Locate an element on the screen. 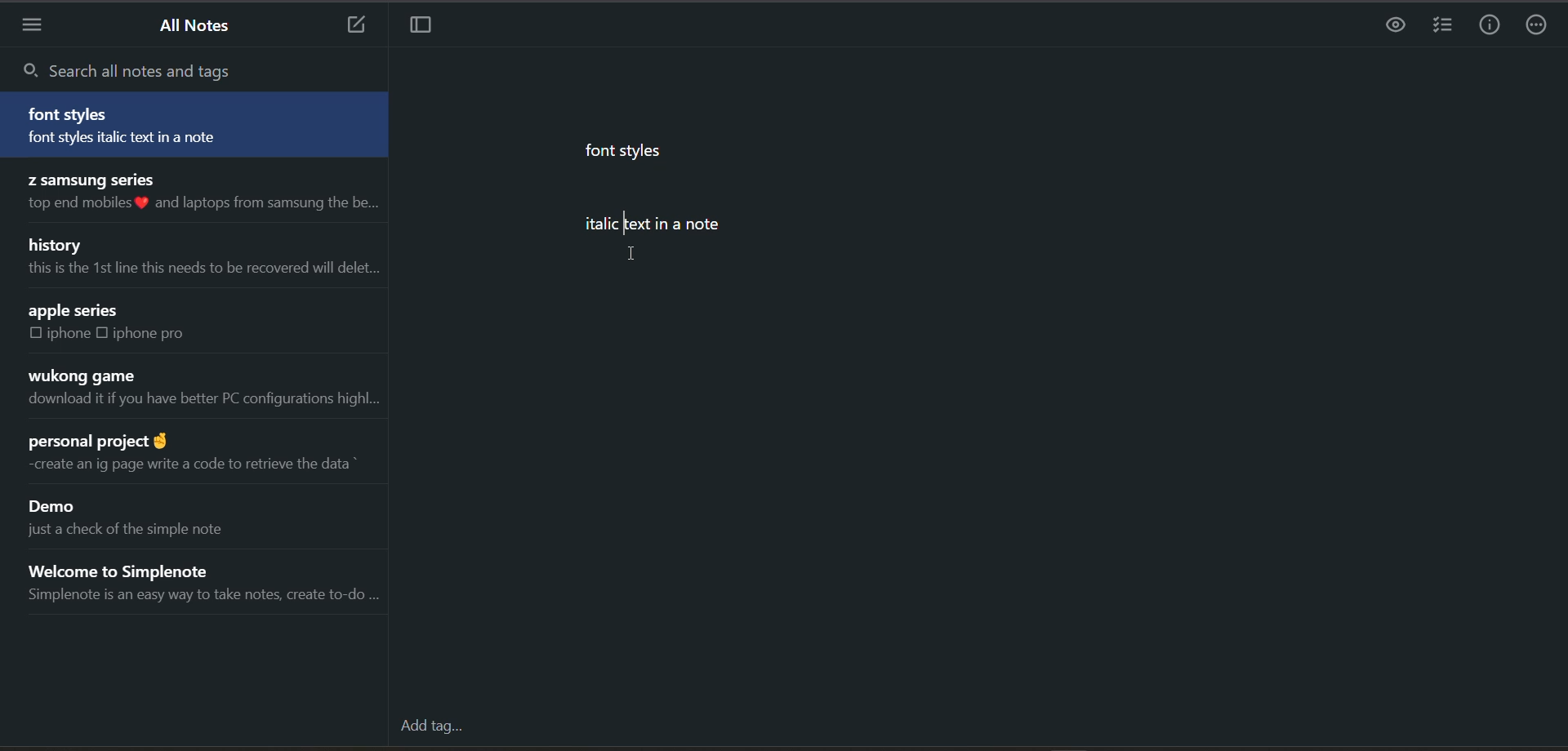 This screenshot has height=751, width=1568. note title and preview is located at coordinates (201, 195).